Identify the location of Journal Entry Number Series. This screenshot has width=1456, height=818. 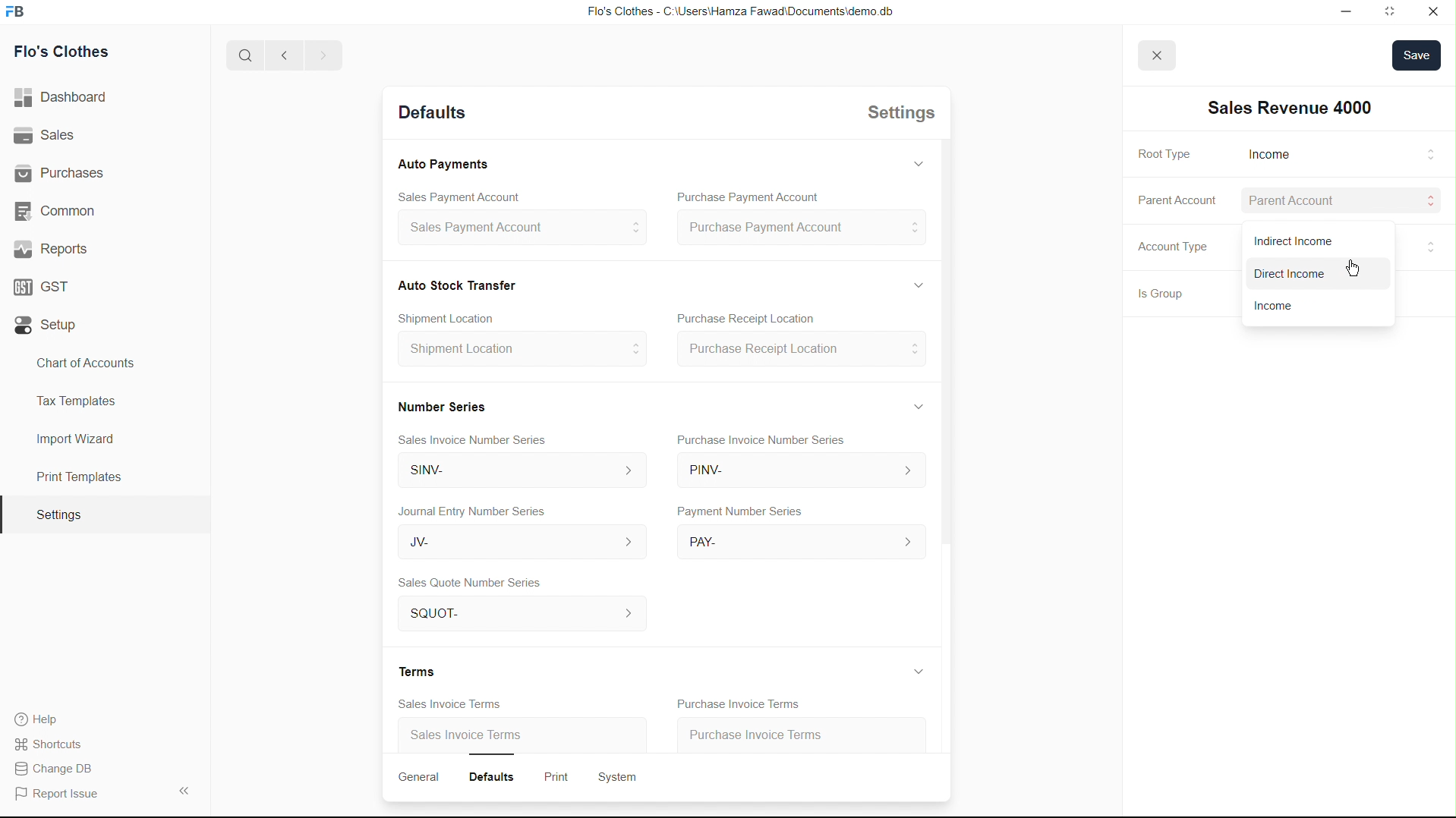
(474, 508).